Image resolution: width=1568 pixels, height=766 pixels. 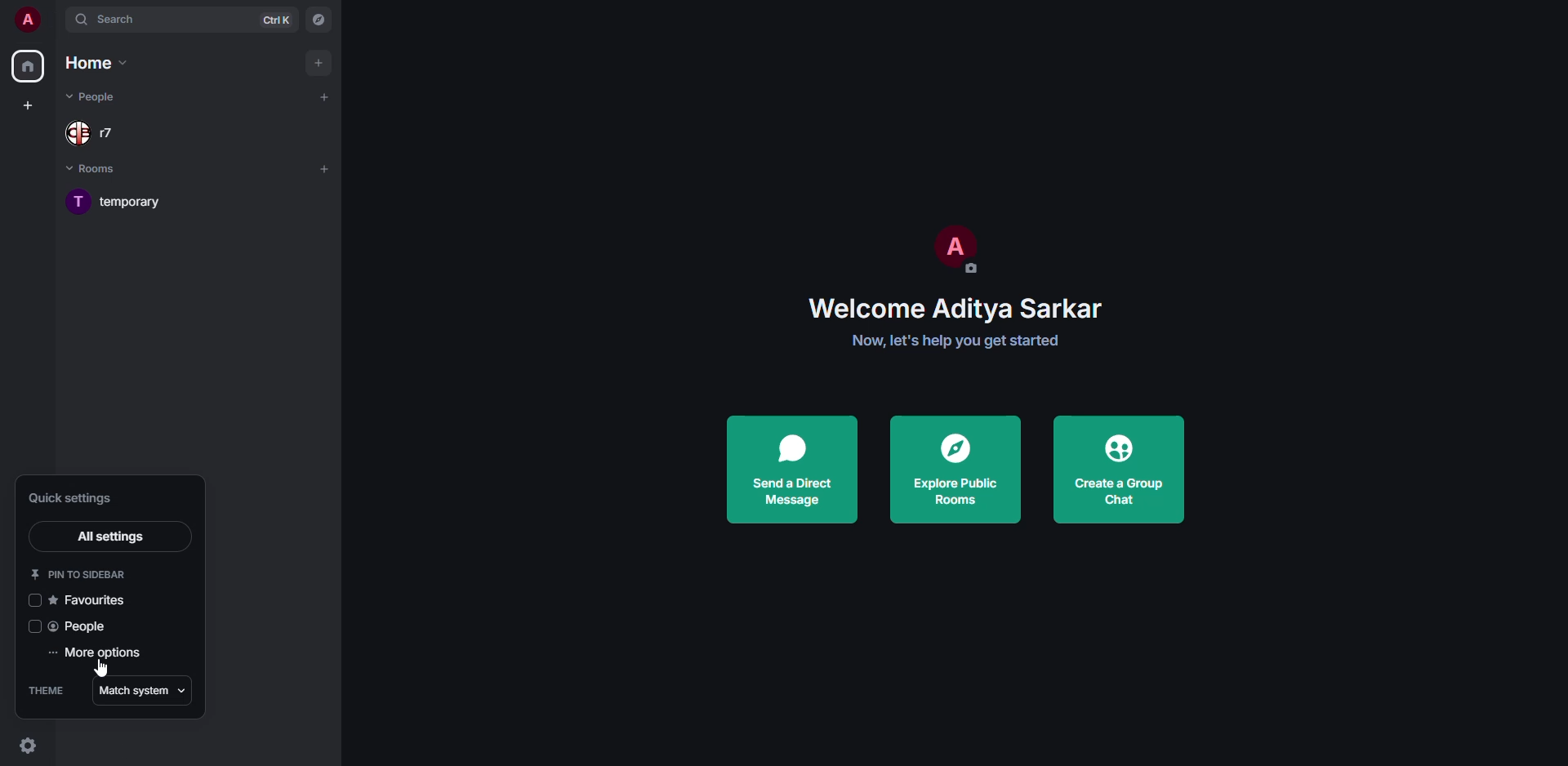 I want to click on navigator, so click(x=320, y=19).